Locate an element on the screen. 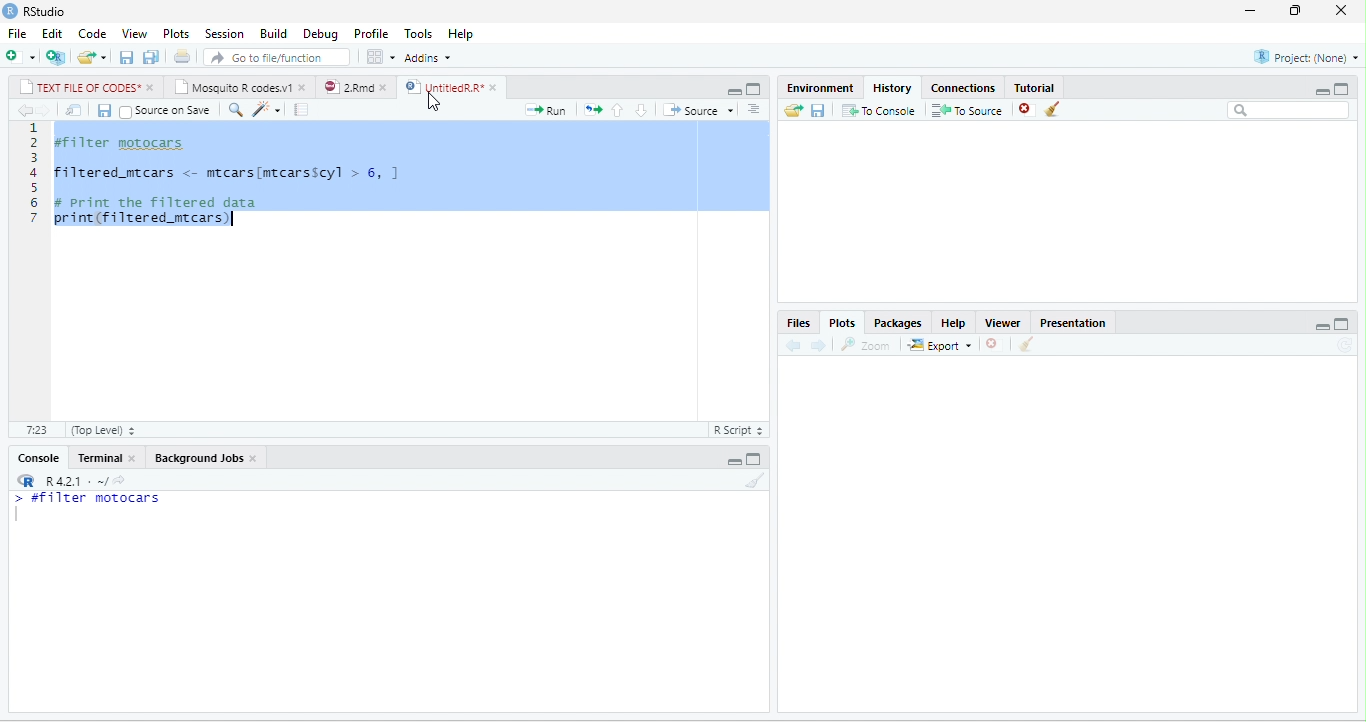 This screenshot has height=722, width=1366. close is located at coordinates (134, 457).